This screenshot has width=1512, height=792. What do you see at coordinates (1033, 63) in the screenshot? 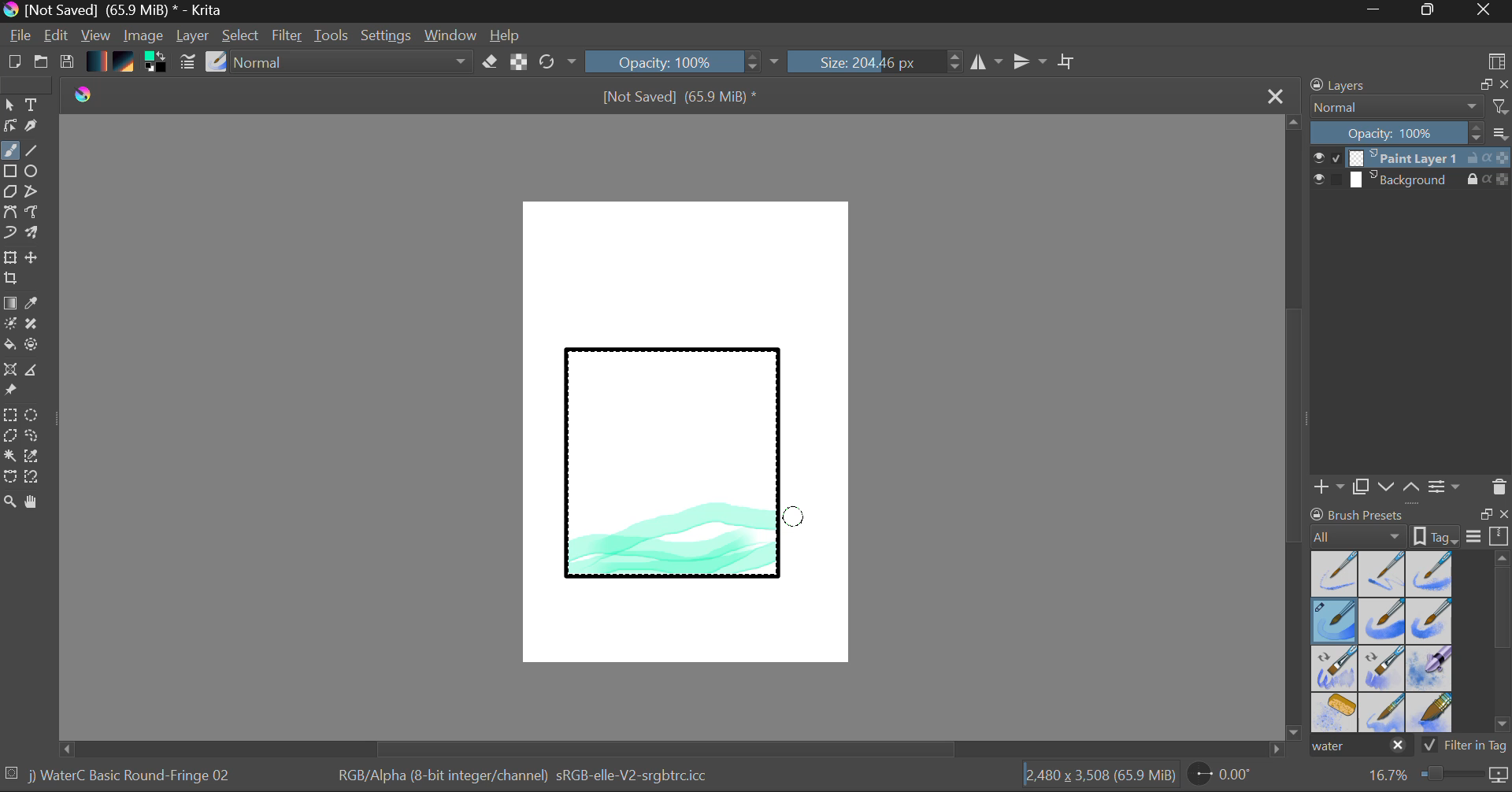
I see `Horizontal Mirror Flip` at bounding box center [1033, 63].